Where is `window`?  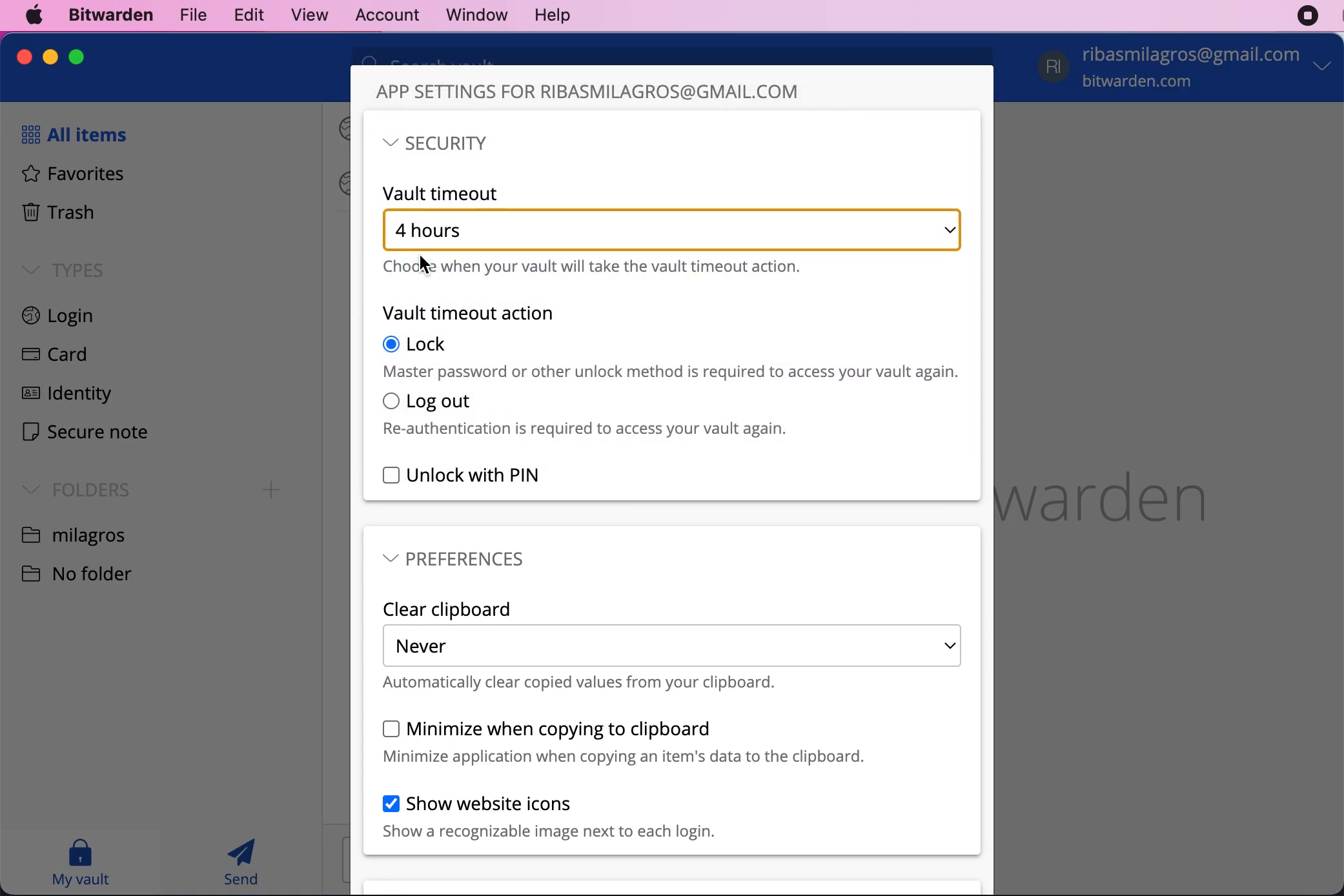
window is located at coordinates (469, 15).